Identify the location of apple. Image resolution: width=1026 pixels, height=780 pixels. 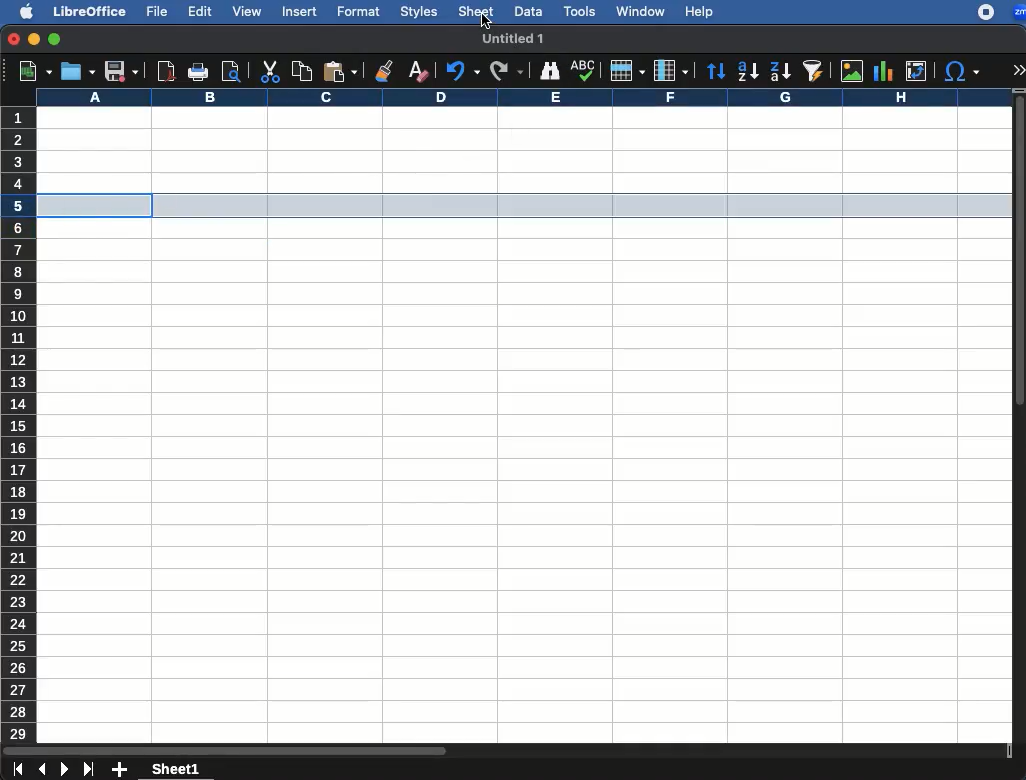
(24, 11).